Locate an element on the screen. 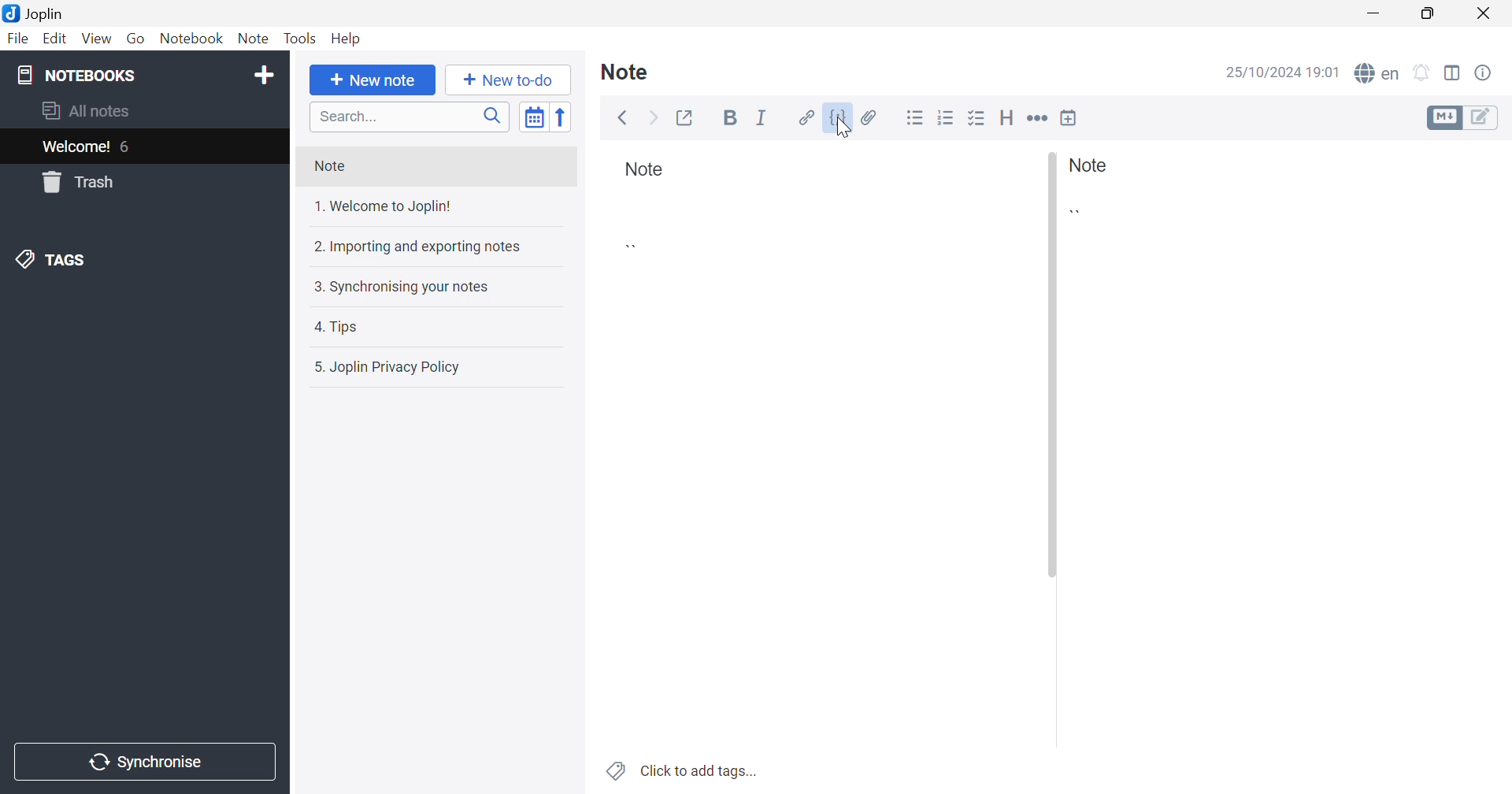 Image resolution: width=1512 pixels, height=794 pixels. Note is located at coordinates (645, 171).